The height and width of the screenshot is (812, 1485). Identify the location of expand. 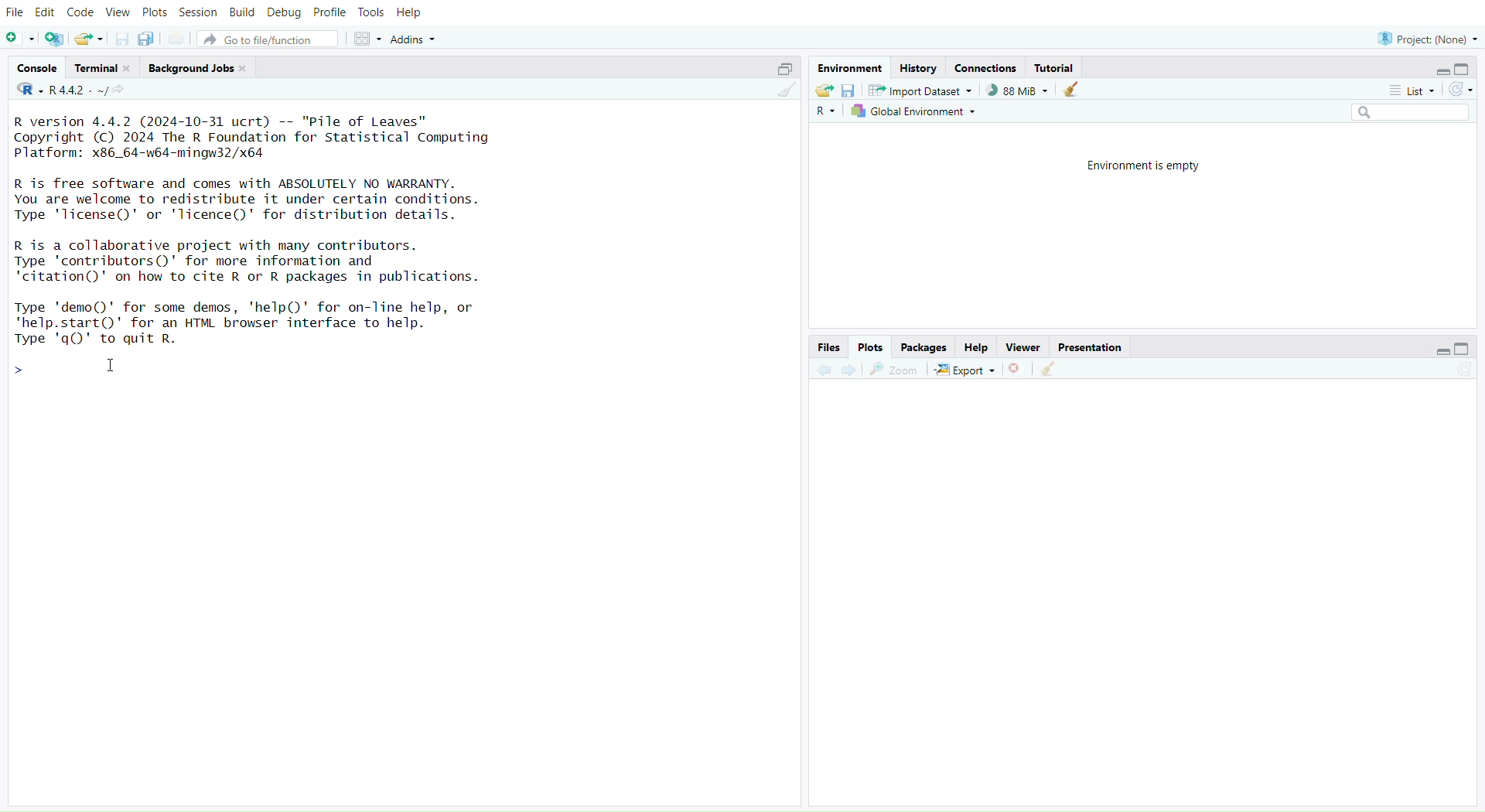
(780, 70).